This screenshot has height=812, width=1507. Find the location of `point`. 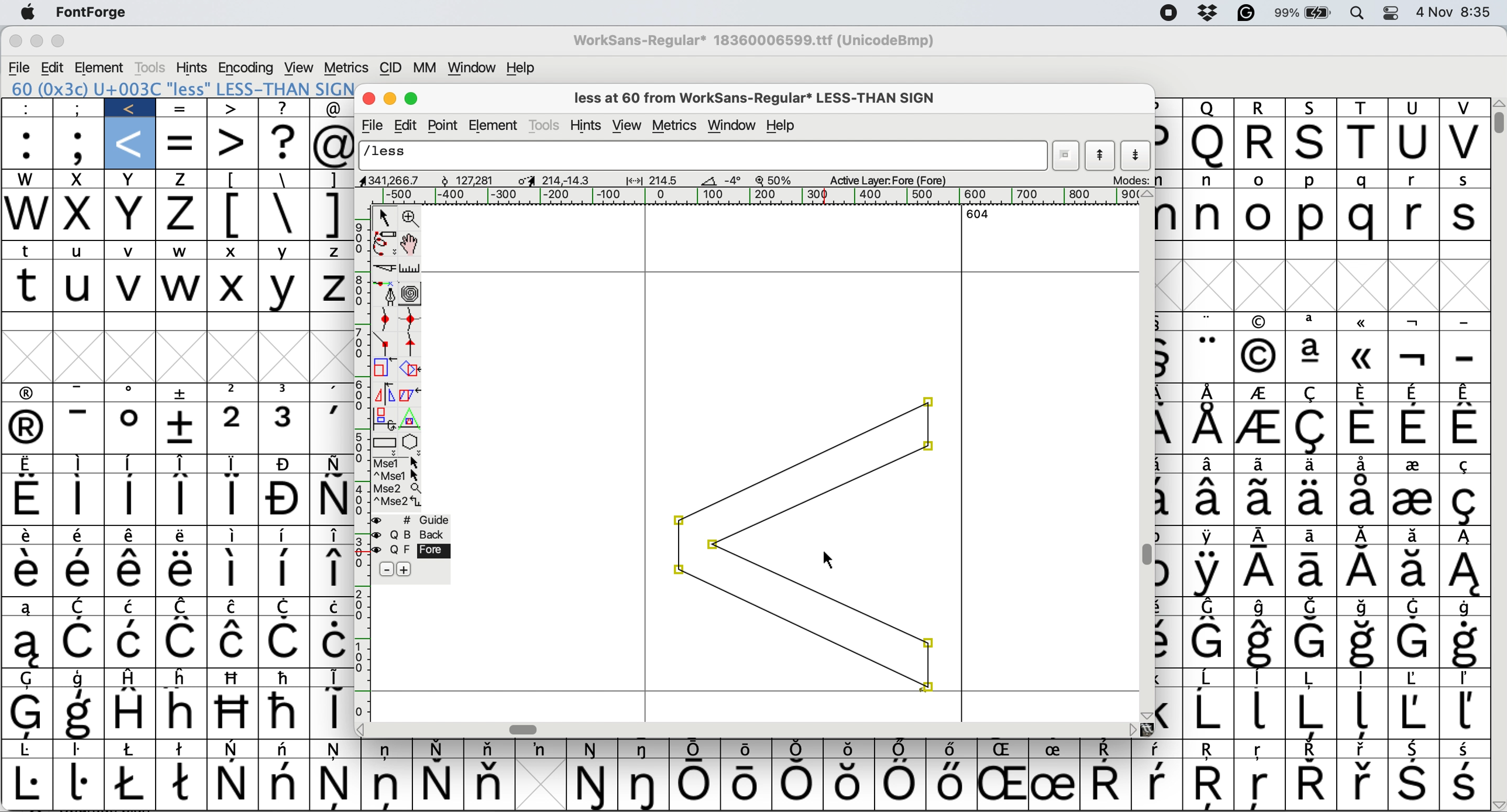

point is located at coordinates (446, 125).